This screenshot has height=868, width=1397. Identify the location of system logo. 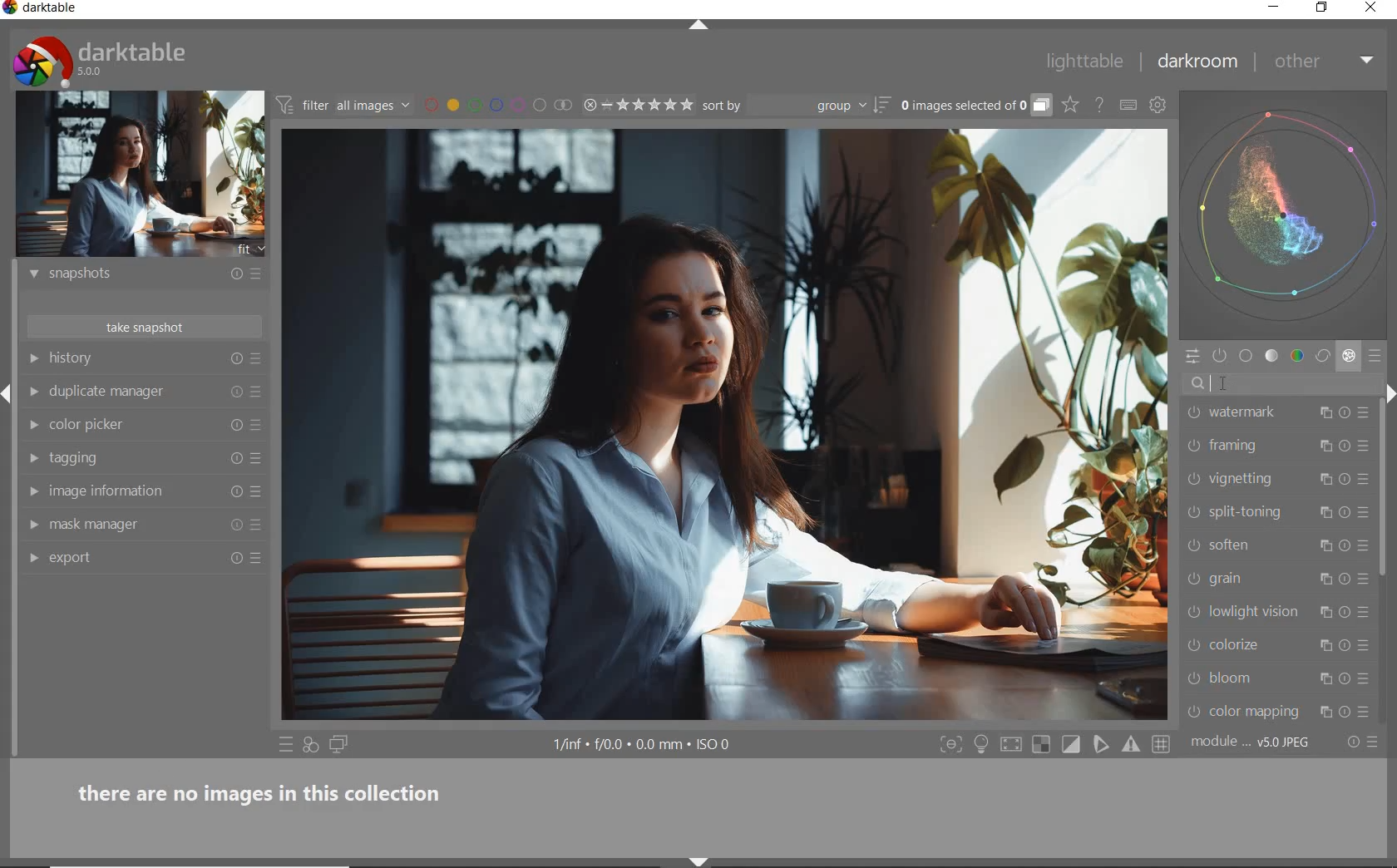
(101, 61).